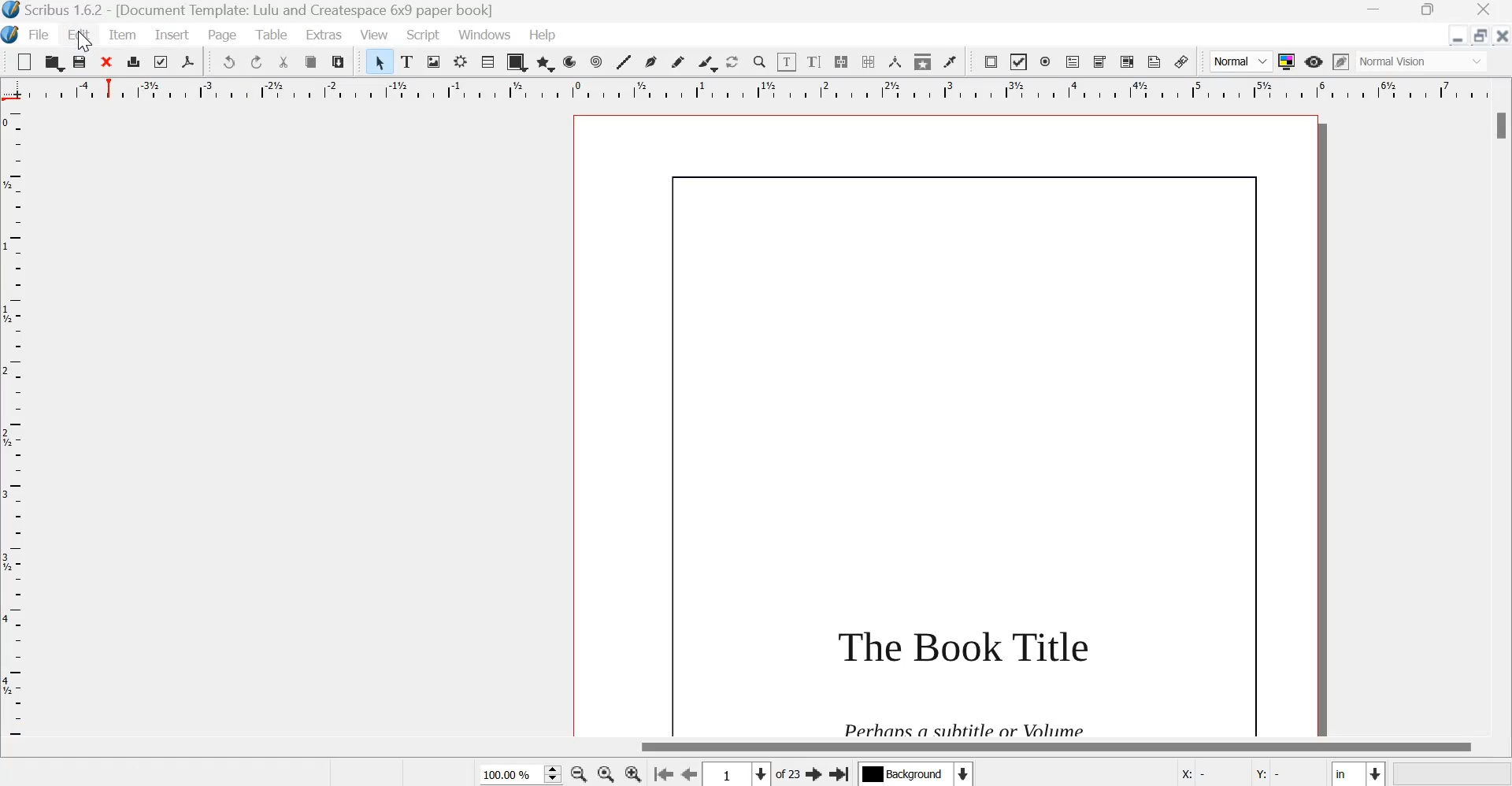  What do you see at coordinates (162, 61) in the screenshot?
I see `preflight verifier` at bounding box center [162, 61].